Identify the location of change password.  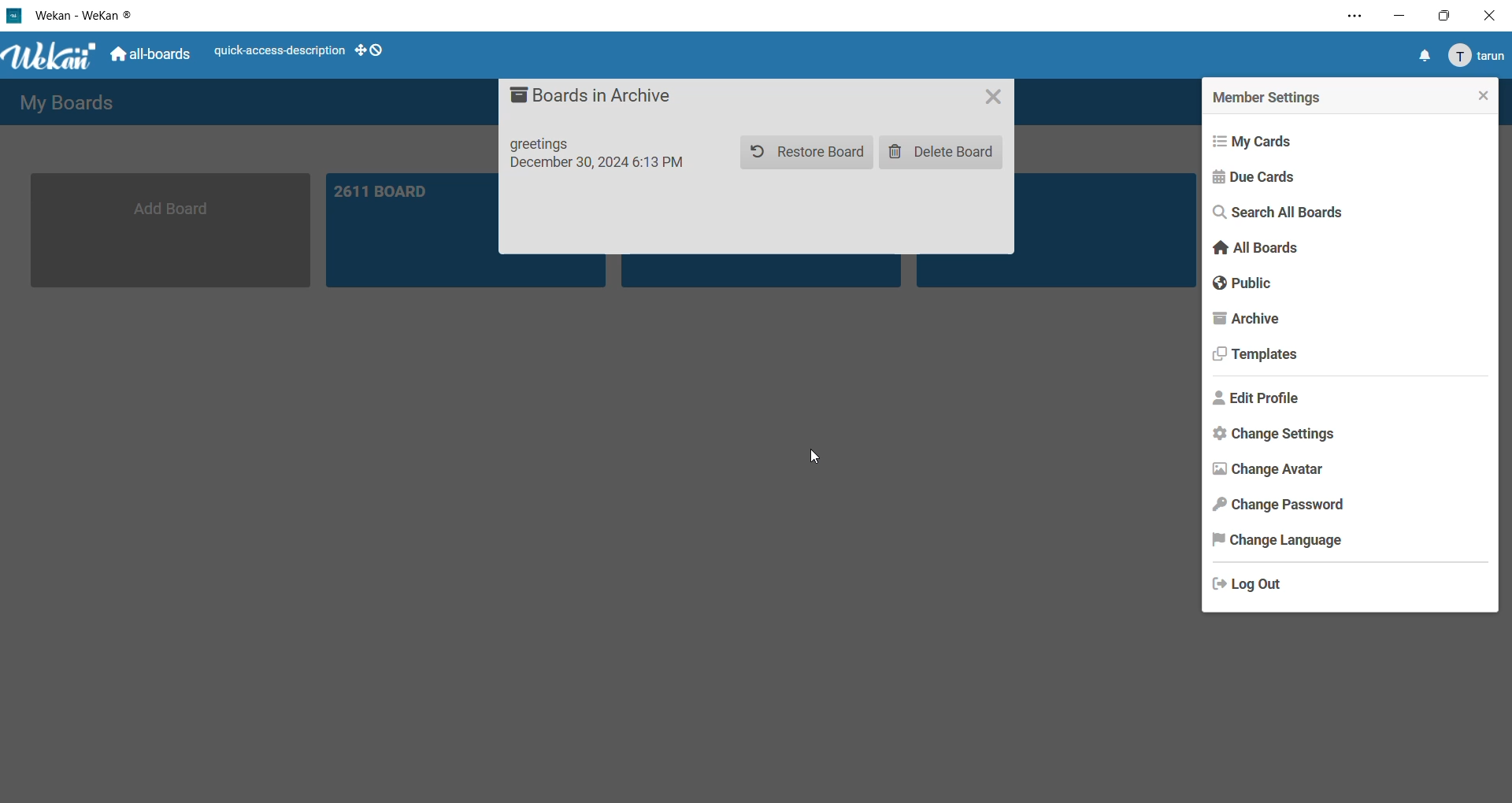
(1284, 505).